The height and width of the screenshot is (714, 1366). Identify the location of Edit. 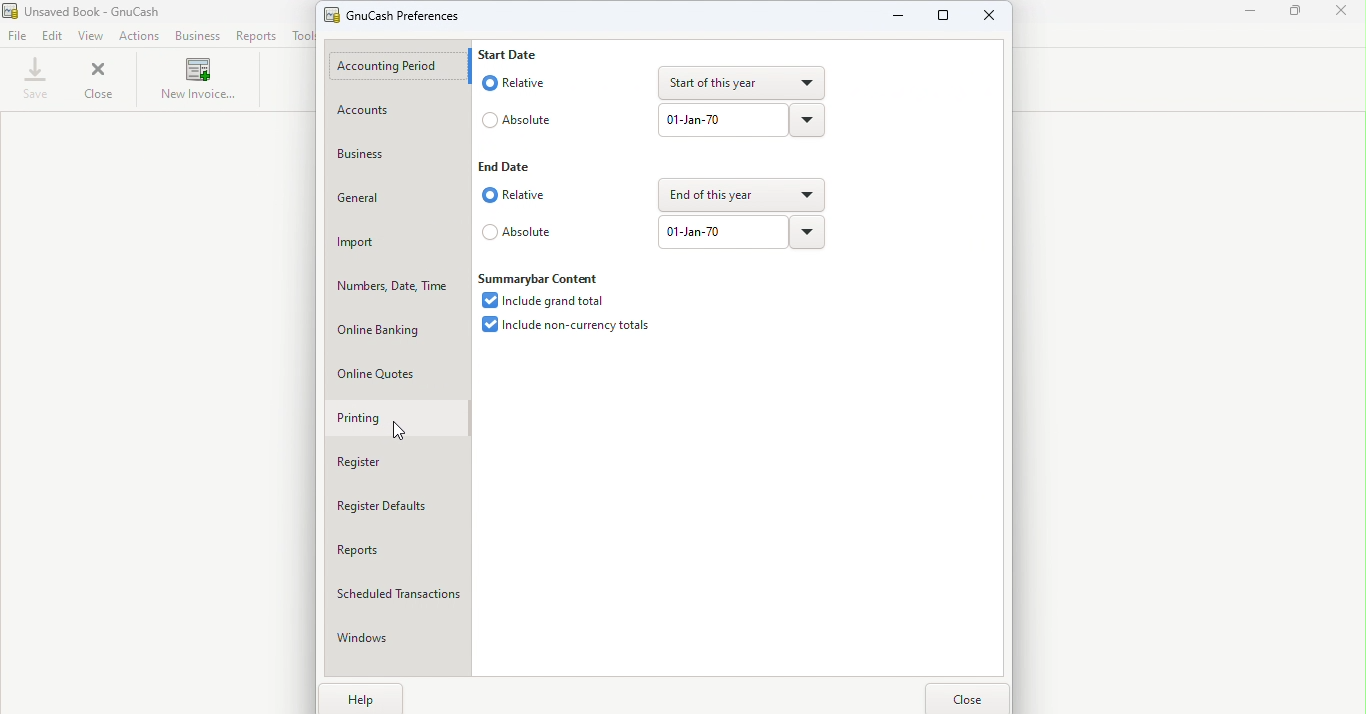
(56, 37).